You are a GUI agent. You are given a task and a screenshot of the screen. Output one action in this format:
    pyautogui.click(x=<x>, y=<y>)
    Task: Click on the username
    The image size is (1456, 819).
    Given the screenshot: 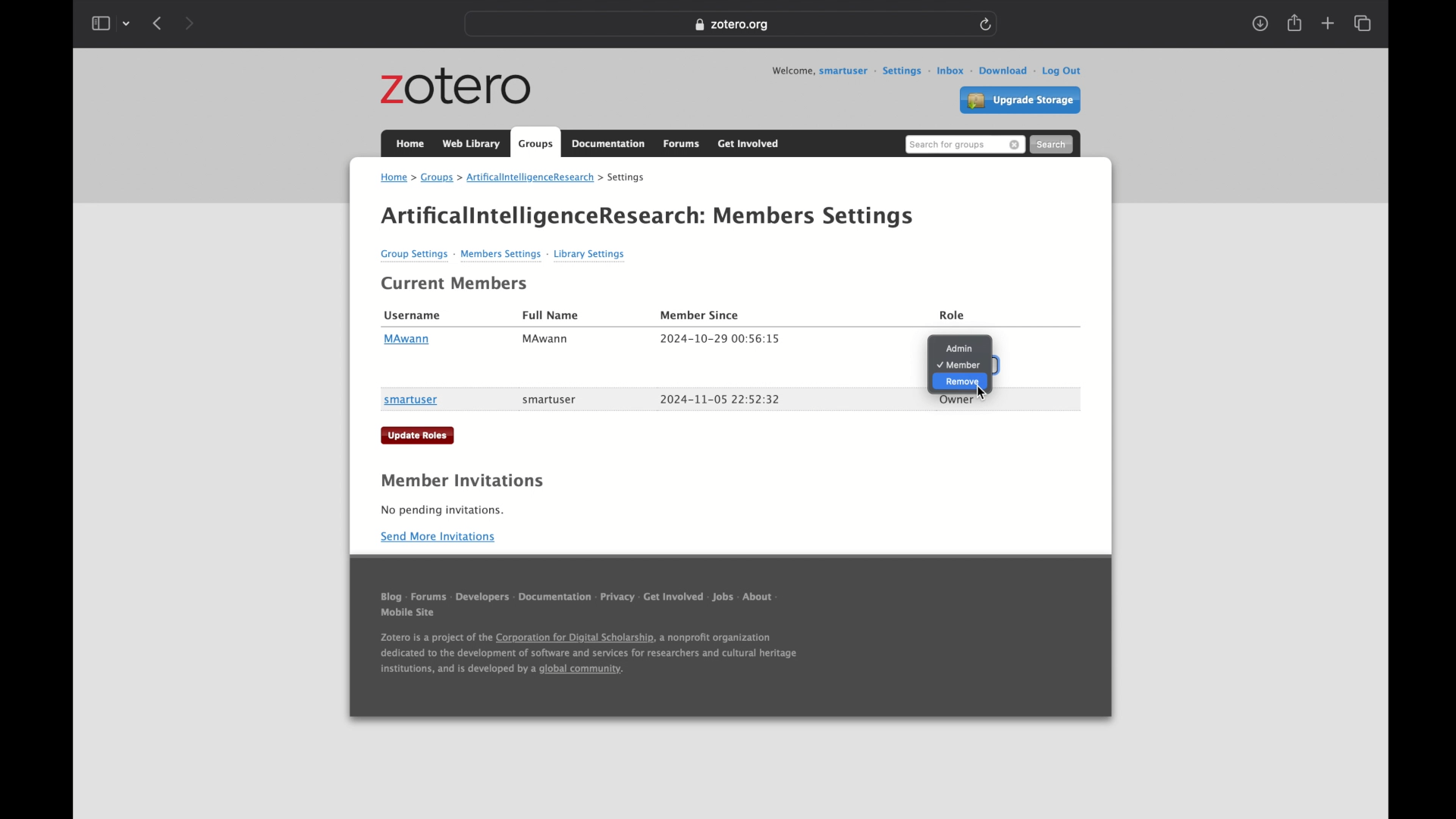 What is the action you would take?
    pyautogui.click(x=413, y=316)
    